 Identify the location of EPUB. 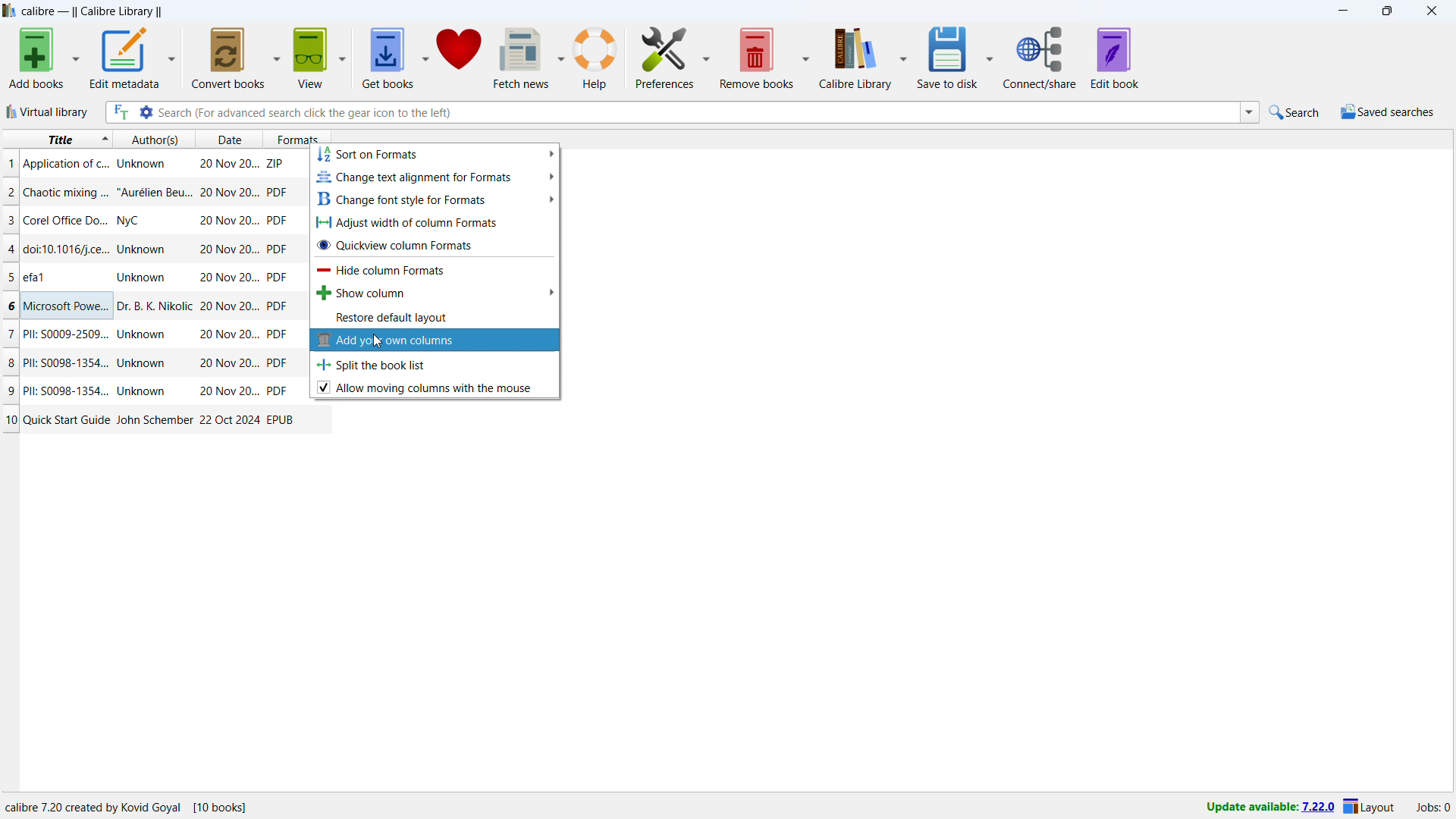
(281, 421).